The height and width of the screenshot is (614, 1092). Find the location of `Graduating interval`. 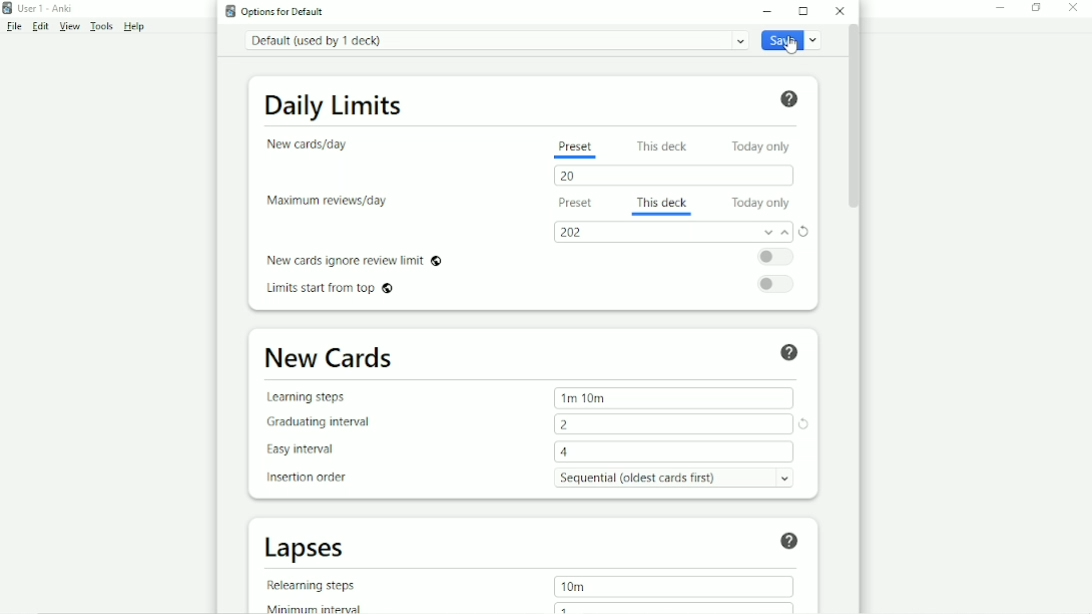

Graduating interval is located at coordinates (325, 421).